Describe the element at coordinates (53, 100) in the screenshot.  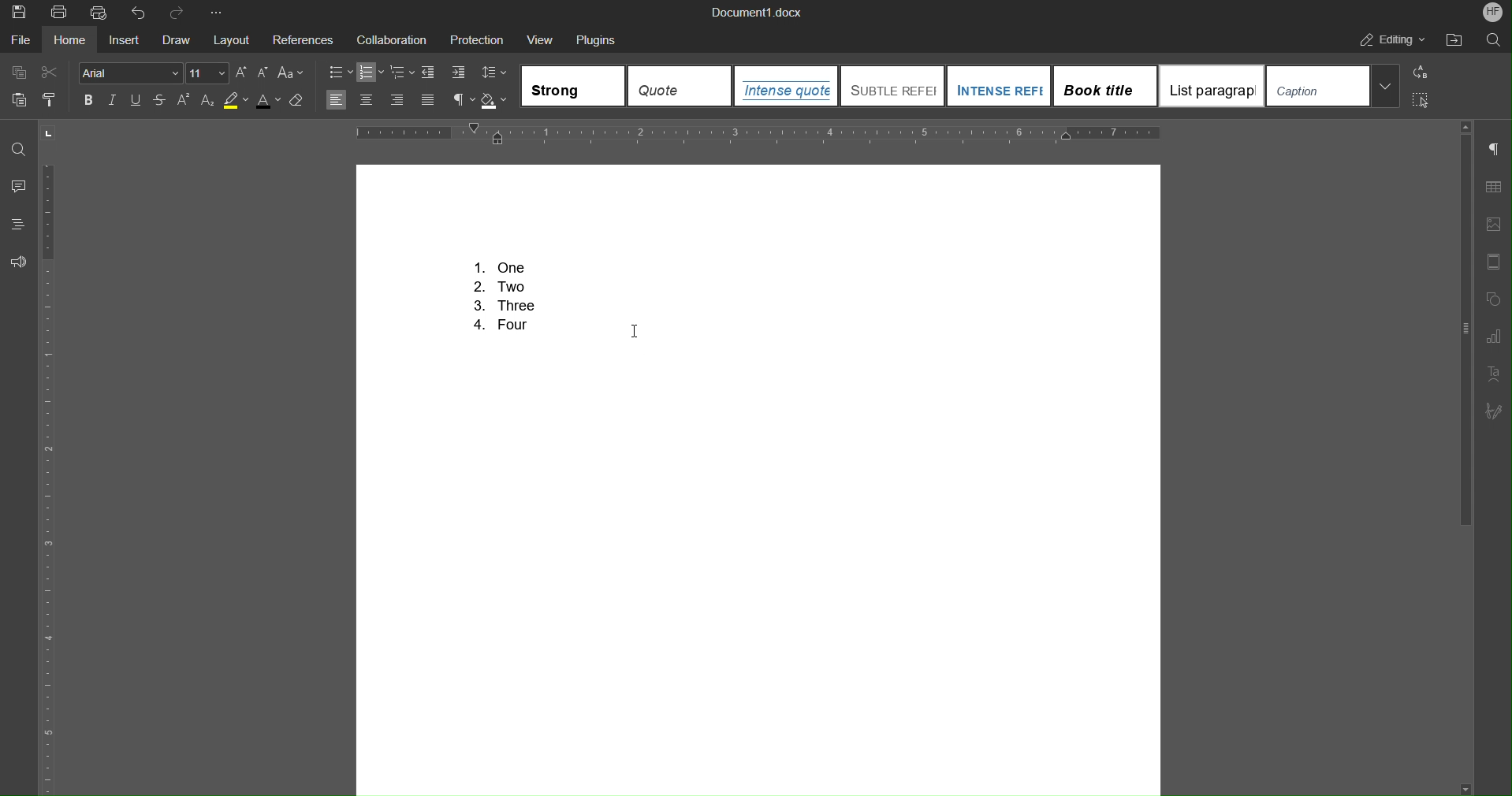
I see `Copy Style` at that location.